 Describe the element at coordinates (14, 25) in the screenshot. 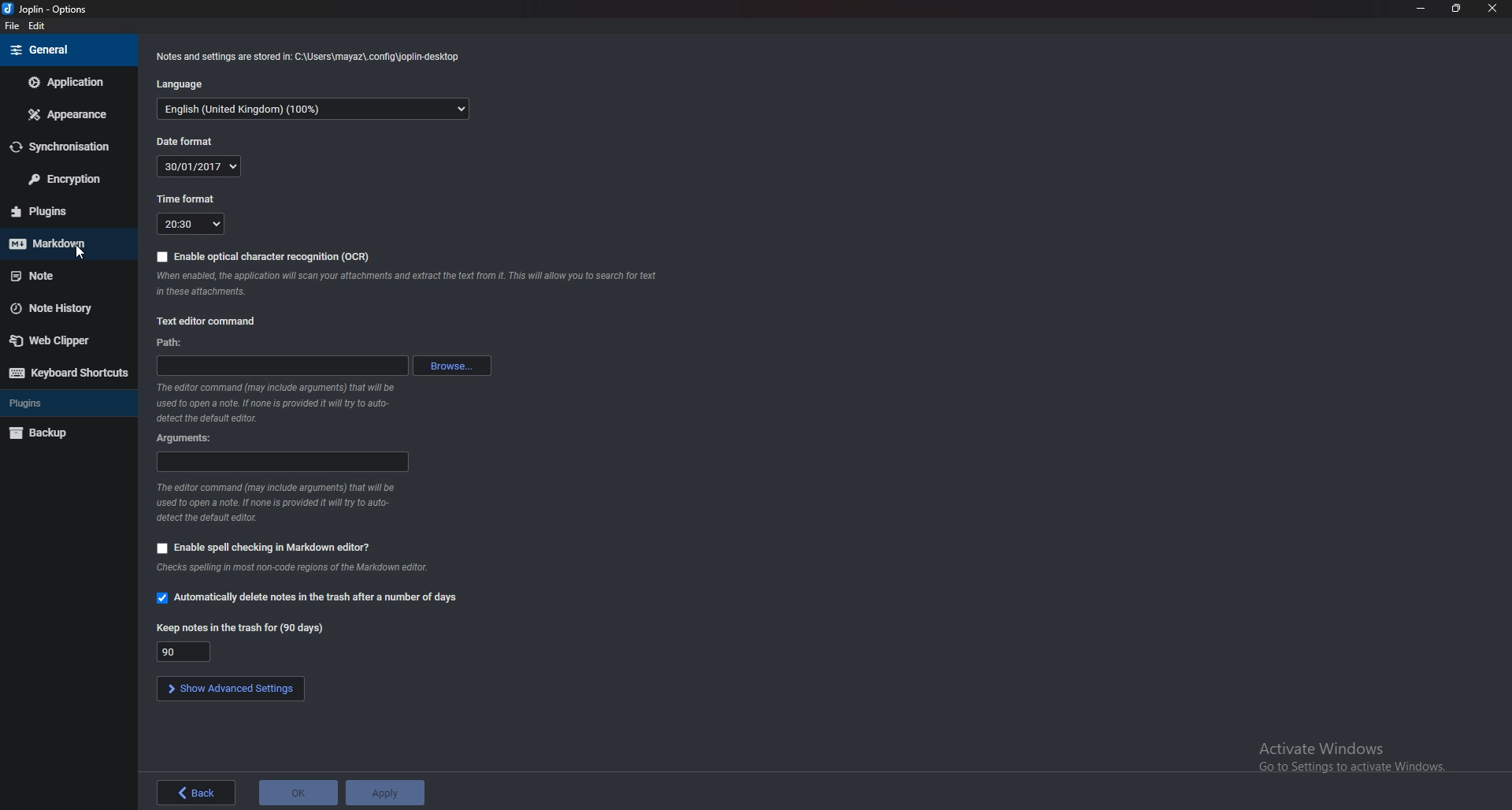

I see `file` at that location.